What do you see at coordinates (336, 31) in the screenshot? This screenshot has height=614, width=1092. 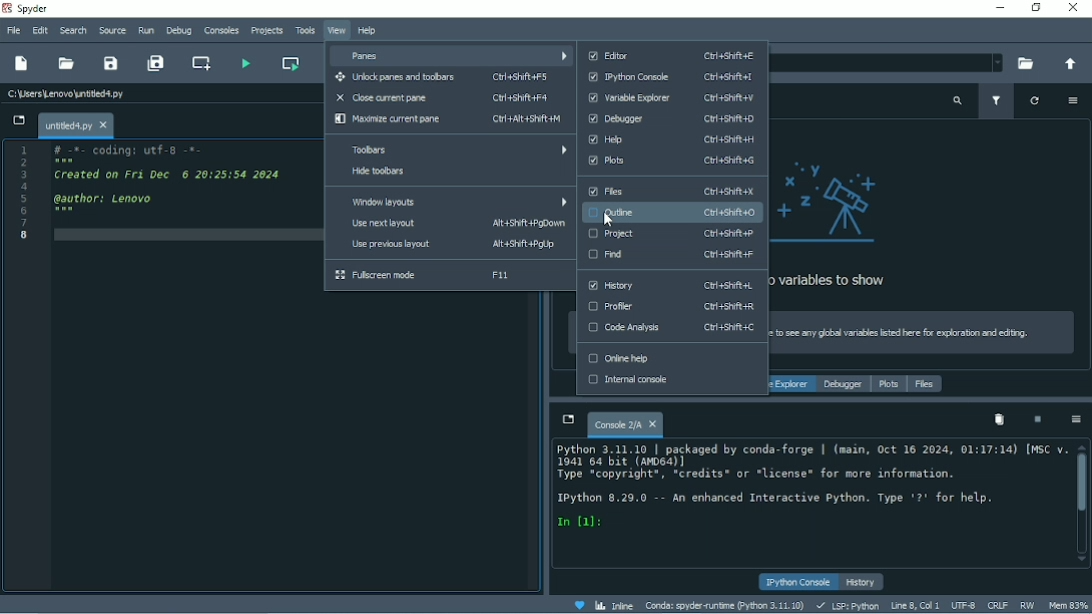 I see `View` at bounding box center [336, 31].